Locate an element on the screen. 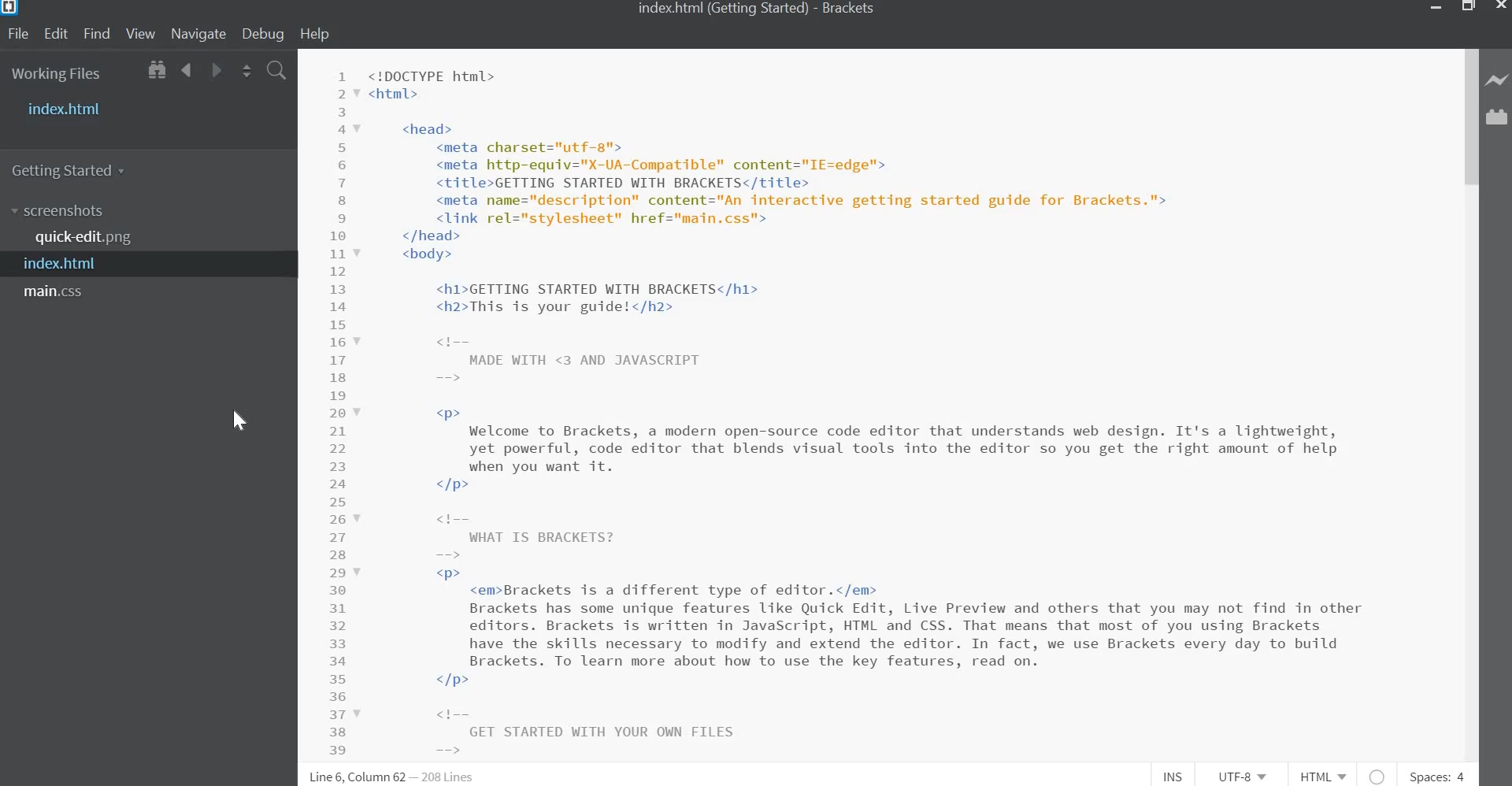 The image size is (1512, 786). lines is located at coordinates (450, 777).